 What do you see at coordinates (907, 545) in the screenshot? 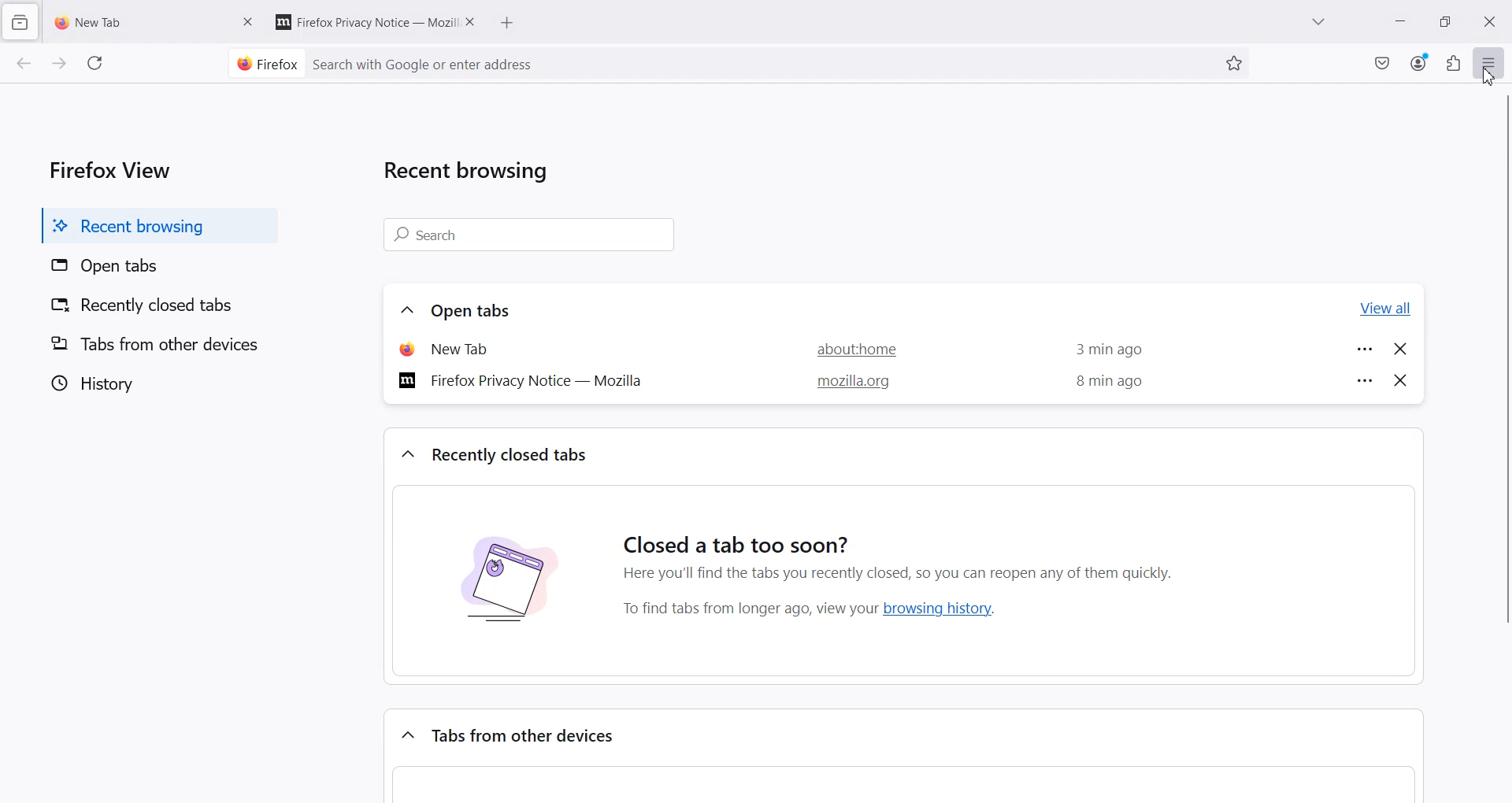
I see `Closed a tab too soon?
on) Here you'll find the tabs you recently closed, so you can reopen any of them quickly.` at bounding box center [907, 545].